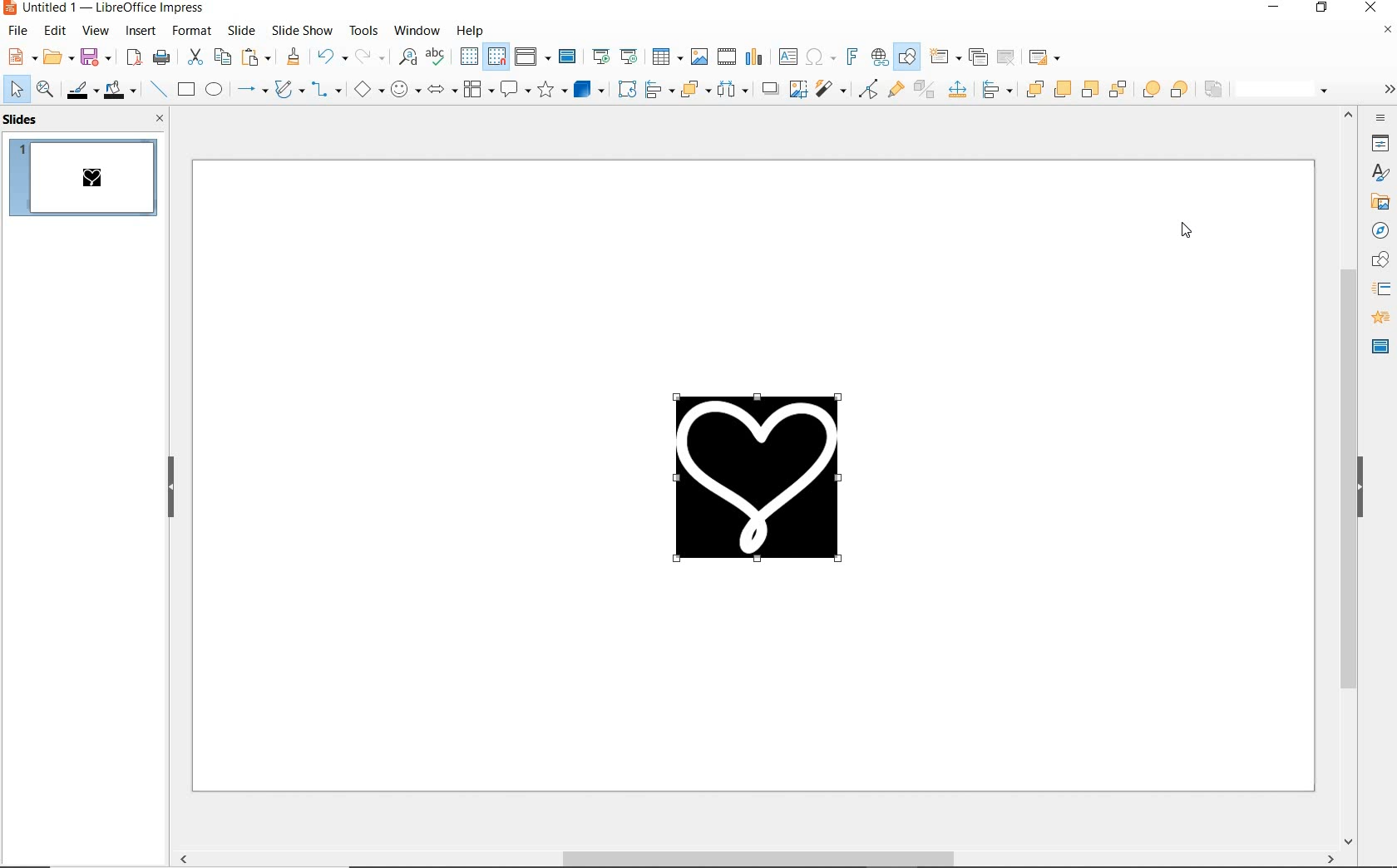 This screenshot has width=1397, height=868. Describe the element at coordinates (292, 57) in the screenshot. I see `clone formatting` at that location.